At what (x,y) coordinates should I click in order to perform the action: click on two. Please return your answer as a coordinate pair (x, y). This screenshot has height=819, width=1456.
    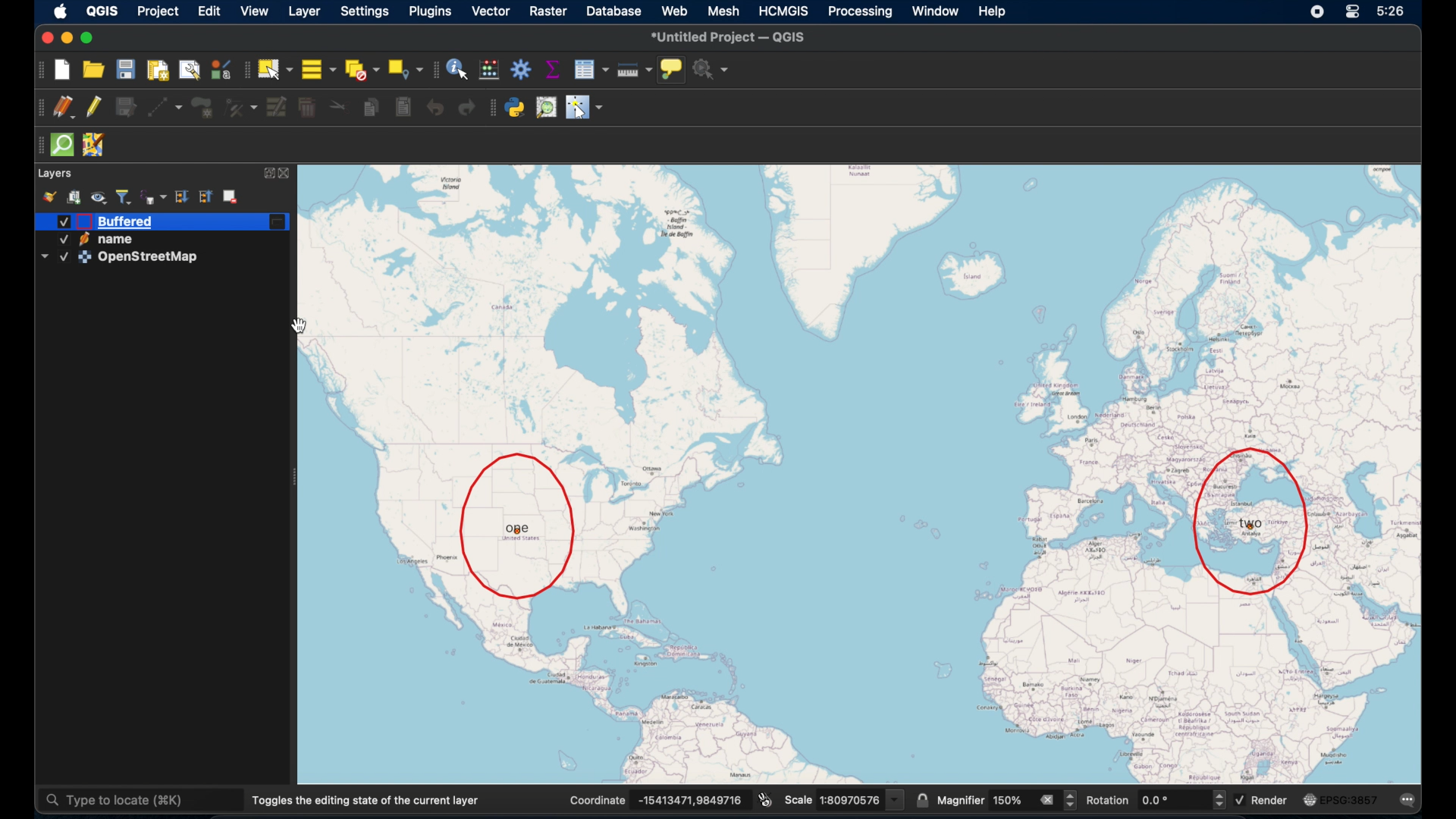
    Looking at the image, I should click on (1249, 522).